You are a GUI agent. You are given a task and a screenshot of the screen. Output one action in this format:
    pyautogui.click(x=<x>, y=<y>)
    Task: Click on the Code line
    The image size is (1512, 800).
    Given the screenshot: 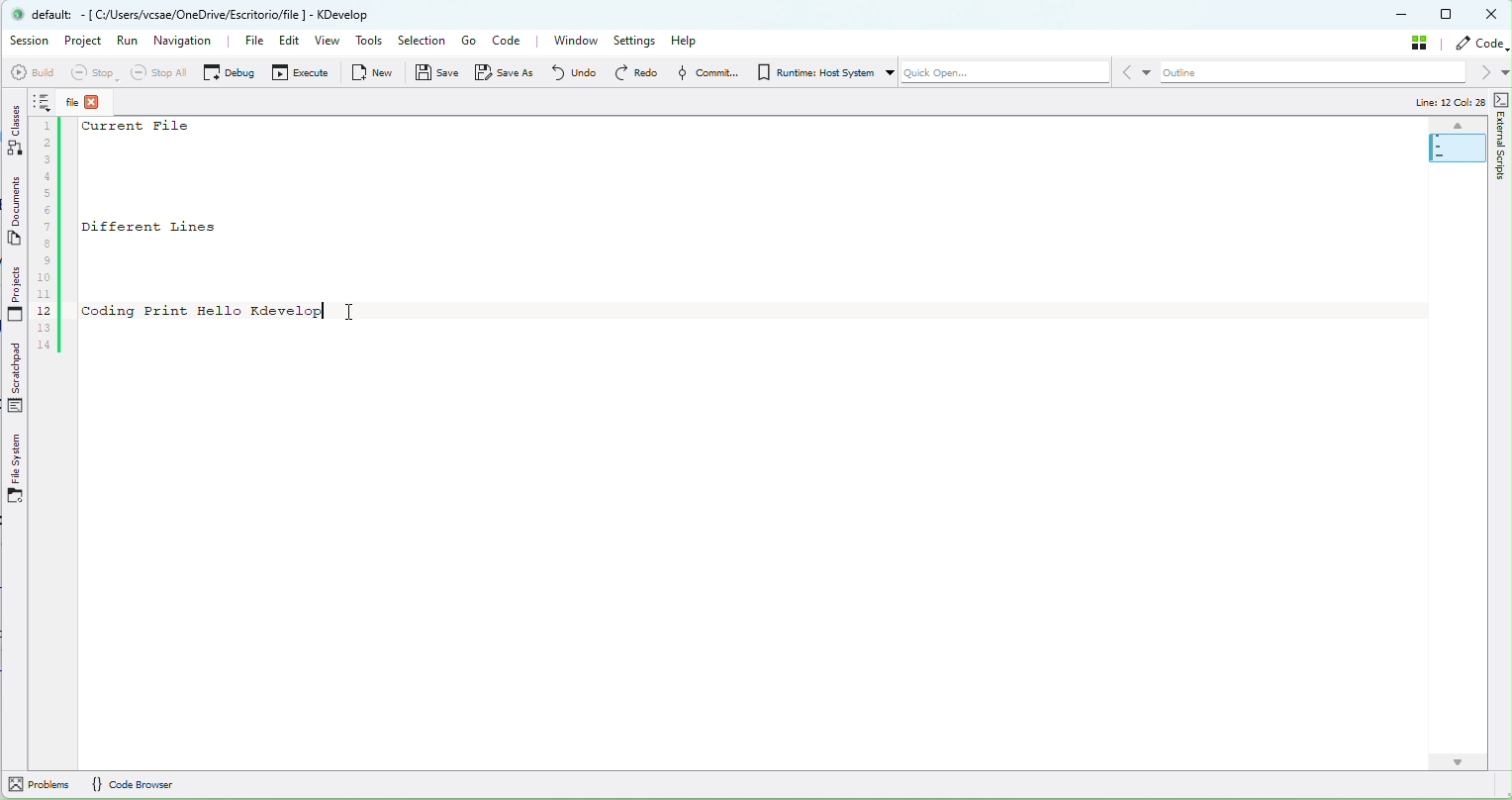 What is the action you would take?
    pyautogui.click(x=47, y=223)
    